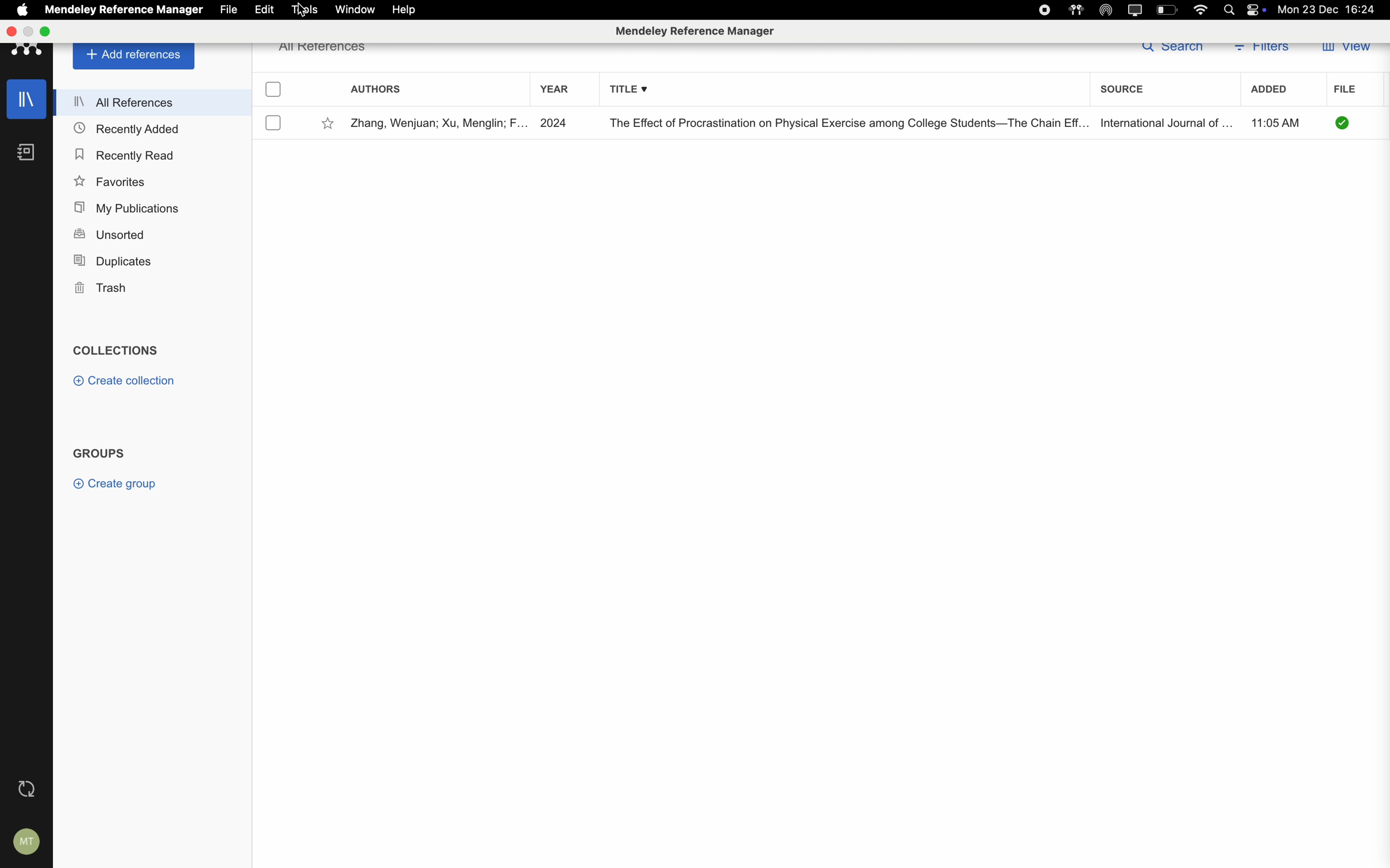  I want to click on title, so click(844, 123).